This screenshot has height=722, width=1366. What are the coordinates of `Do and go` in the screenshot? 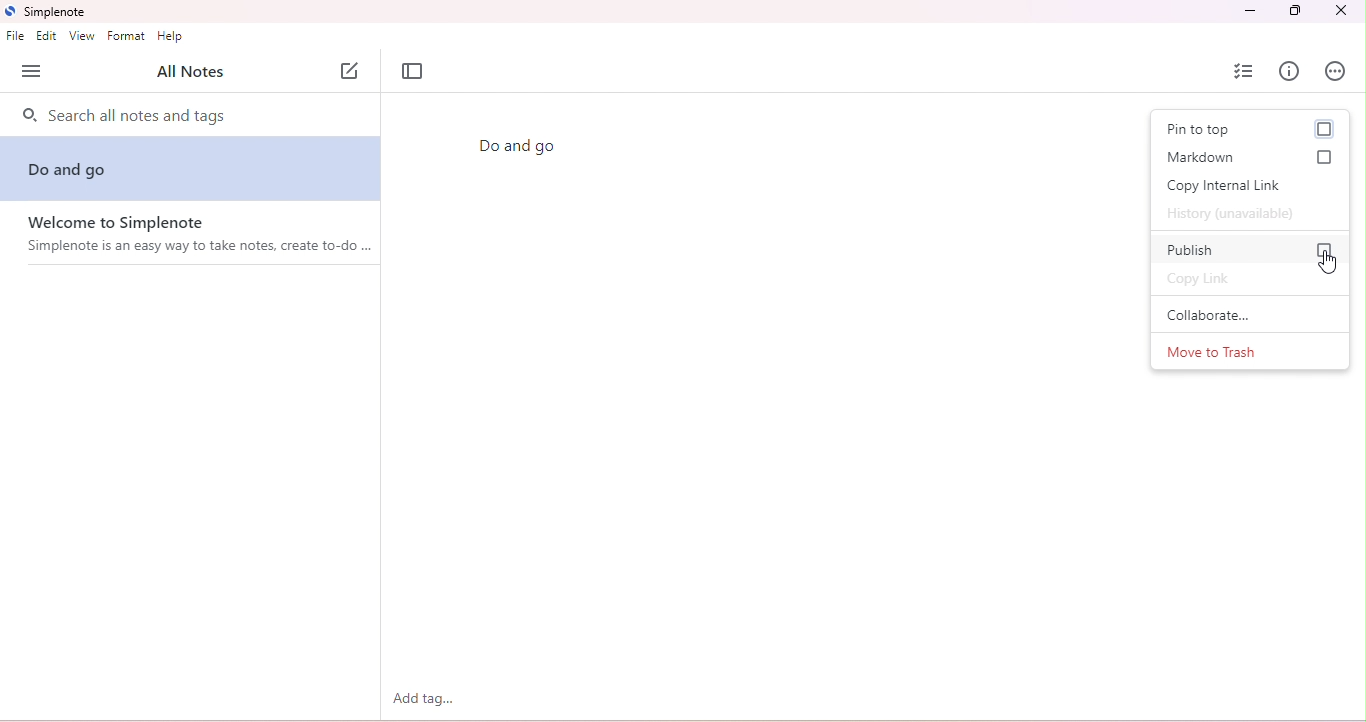 It's located at (521, 147).